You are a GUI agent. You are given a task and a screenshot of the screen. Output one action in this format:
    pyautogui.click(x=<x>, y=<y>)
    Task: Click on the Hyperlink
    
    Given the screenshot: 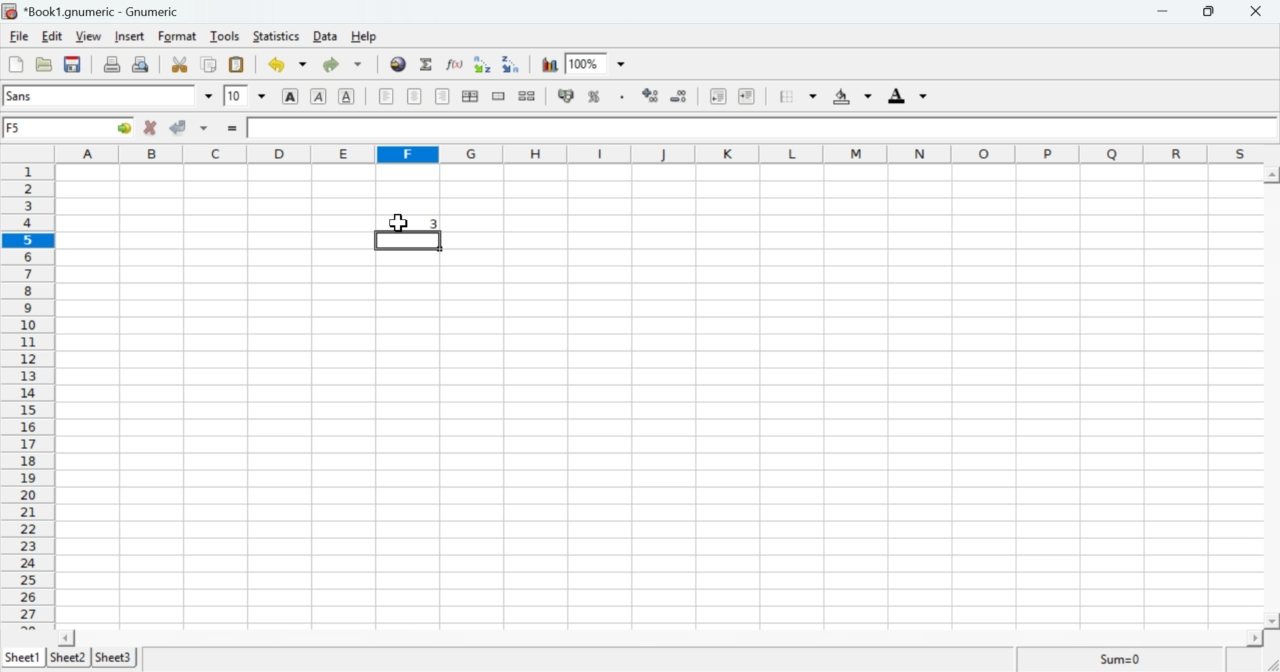 What is the action you would take?
    pyautogui.click(x=398, y=67)
    